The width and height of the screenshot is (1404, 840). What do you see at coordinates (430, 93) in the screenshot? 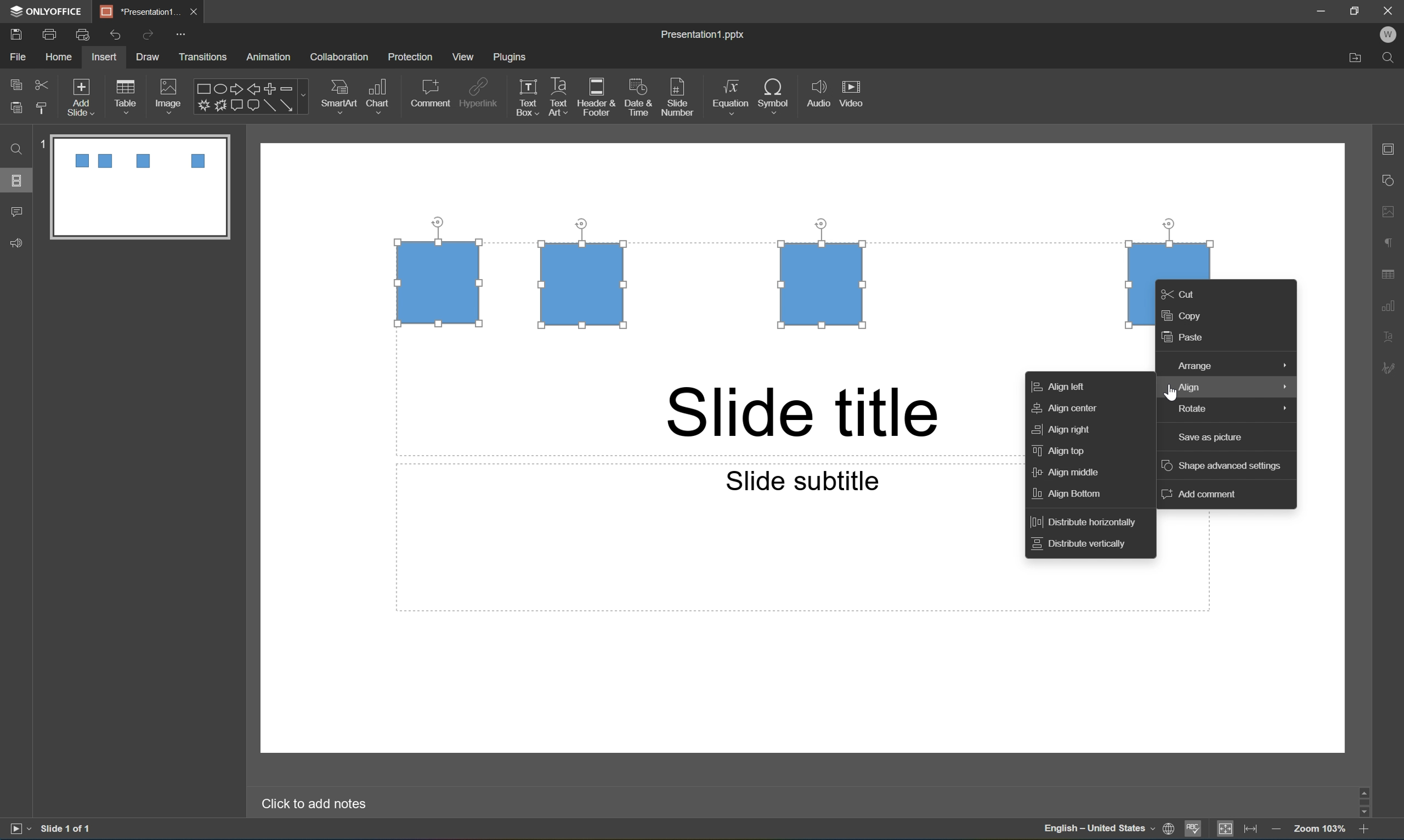
I see `comment` at bounding box center [430, 93].